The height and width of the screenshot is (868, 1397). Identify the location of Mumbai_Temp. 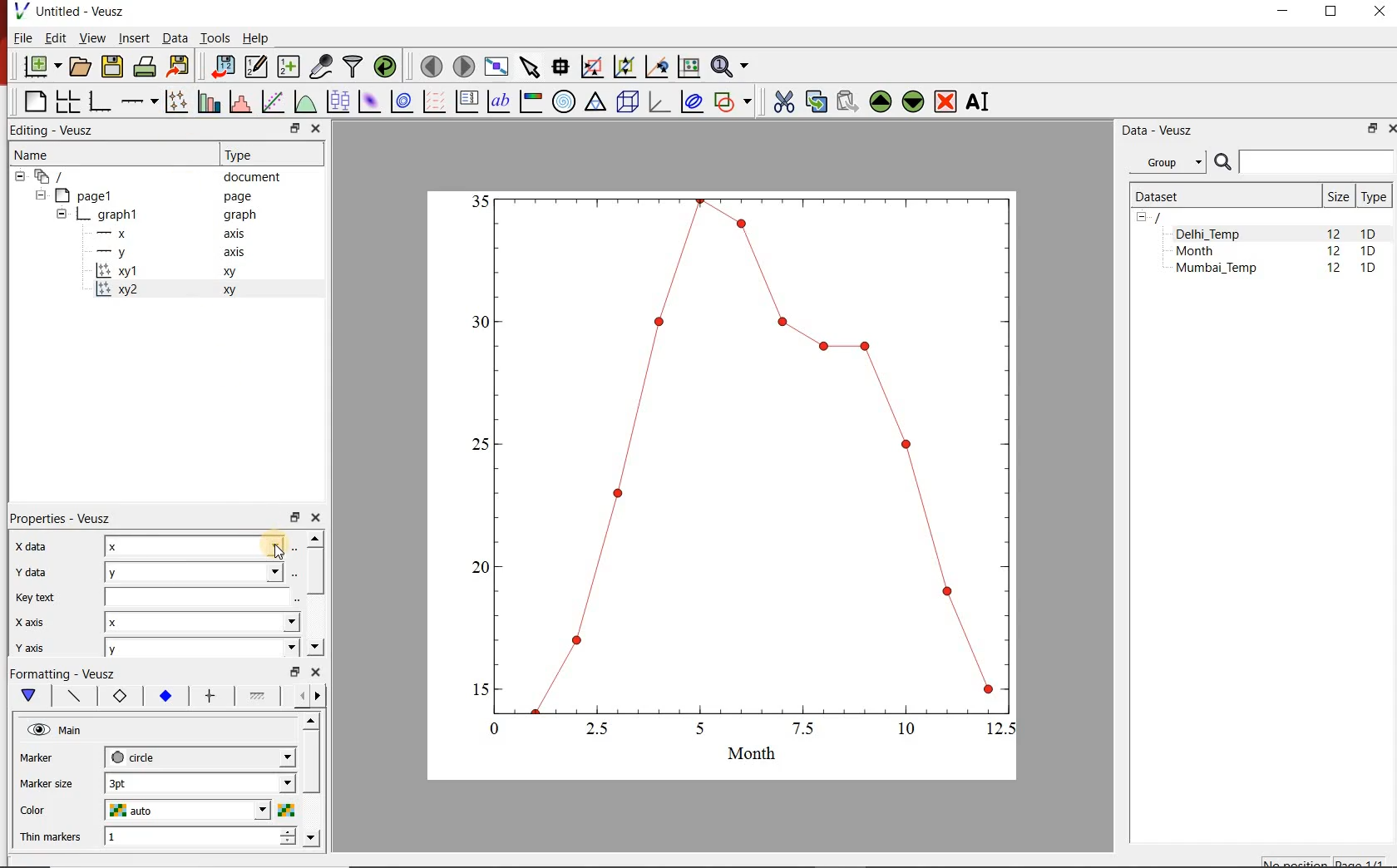
(1216, 269).